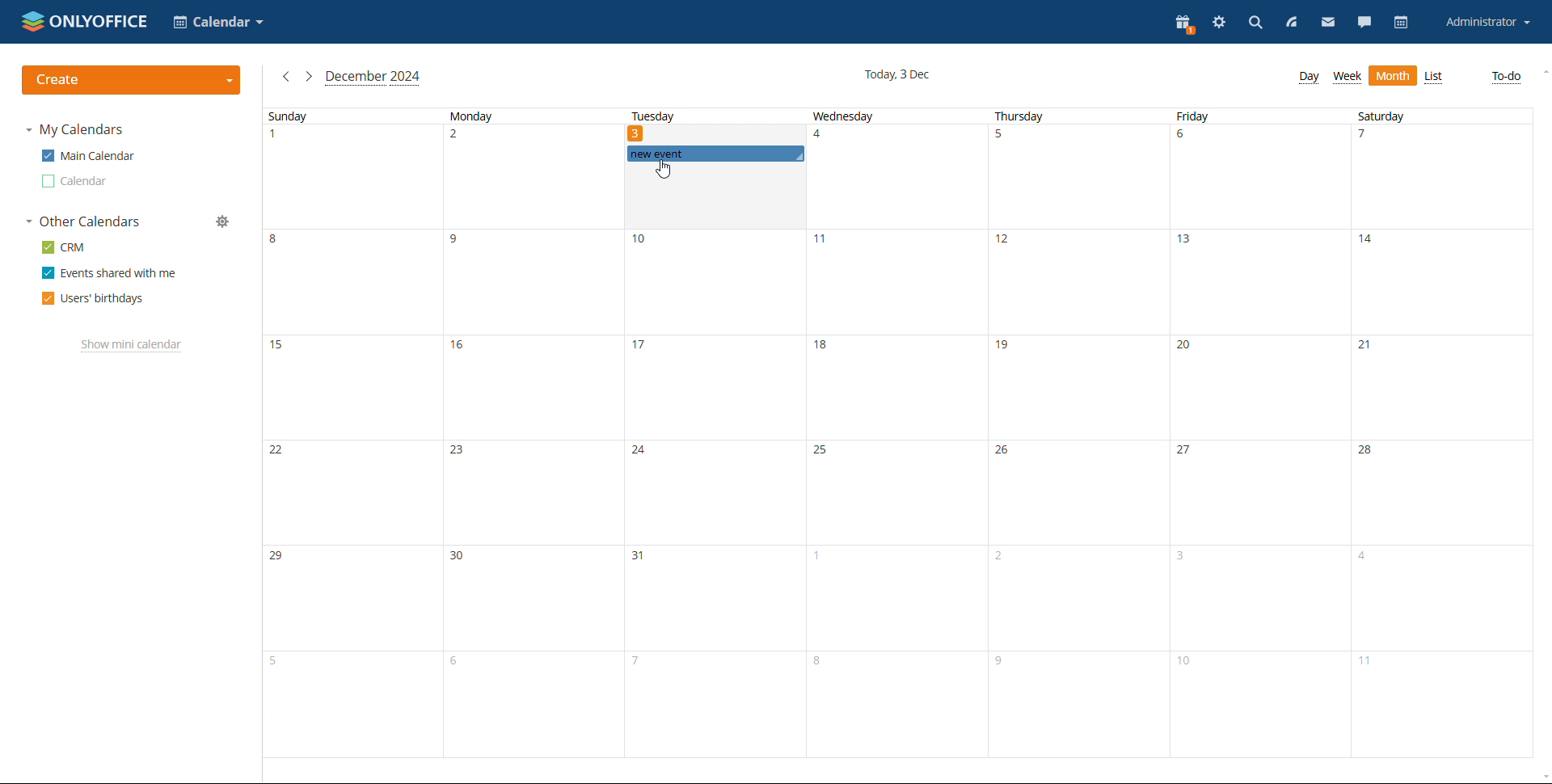 The height and width of the screenshot is (784, 1552). What do you see at coordinates (896, 434) in the screenshot?
I see `wednesday` at bounding box center [896, 434].